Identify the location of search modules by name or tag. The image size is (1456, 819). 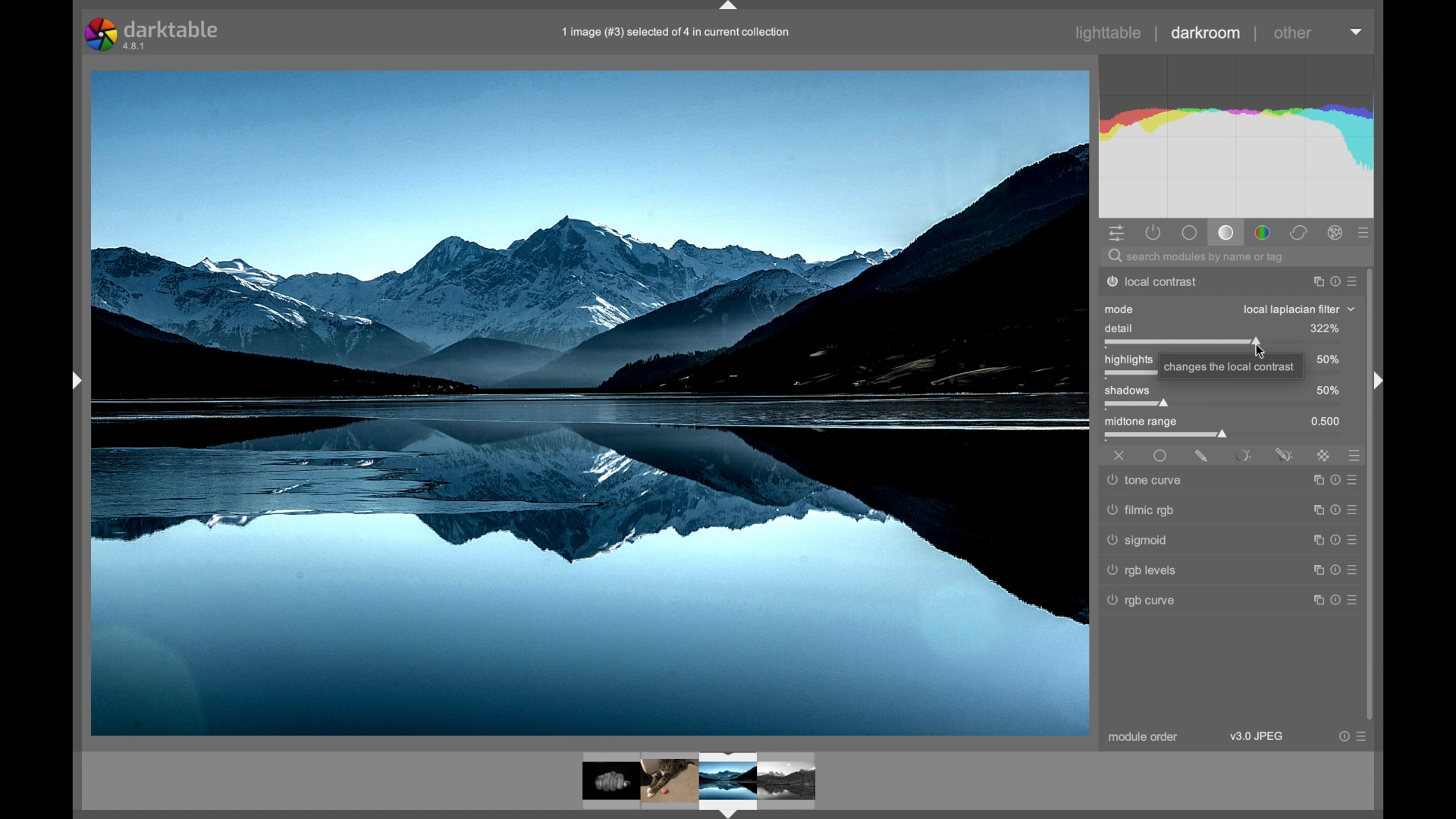
(1196, 257).